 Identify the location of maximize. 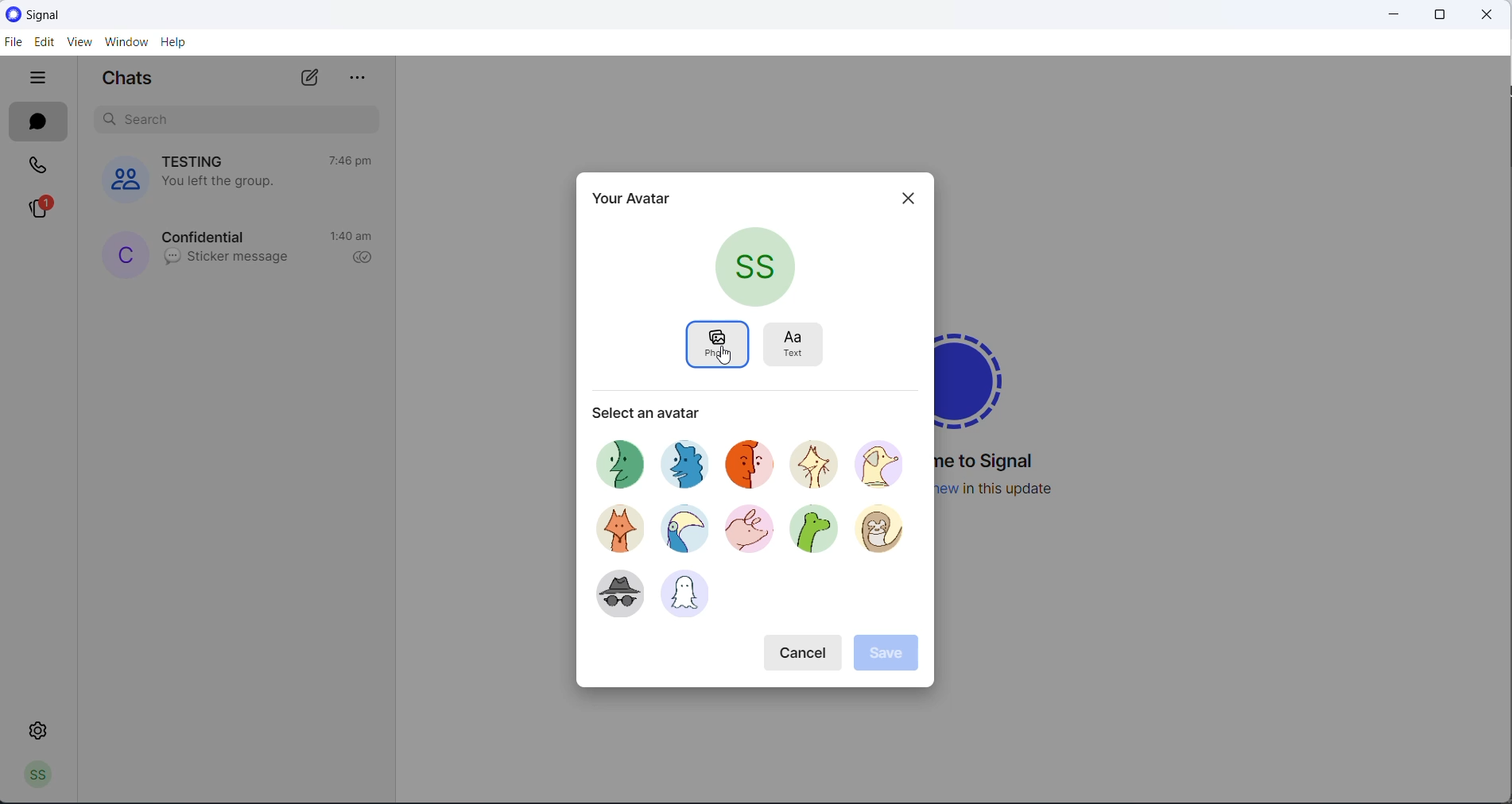
(1436, 15).